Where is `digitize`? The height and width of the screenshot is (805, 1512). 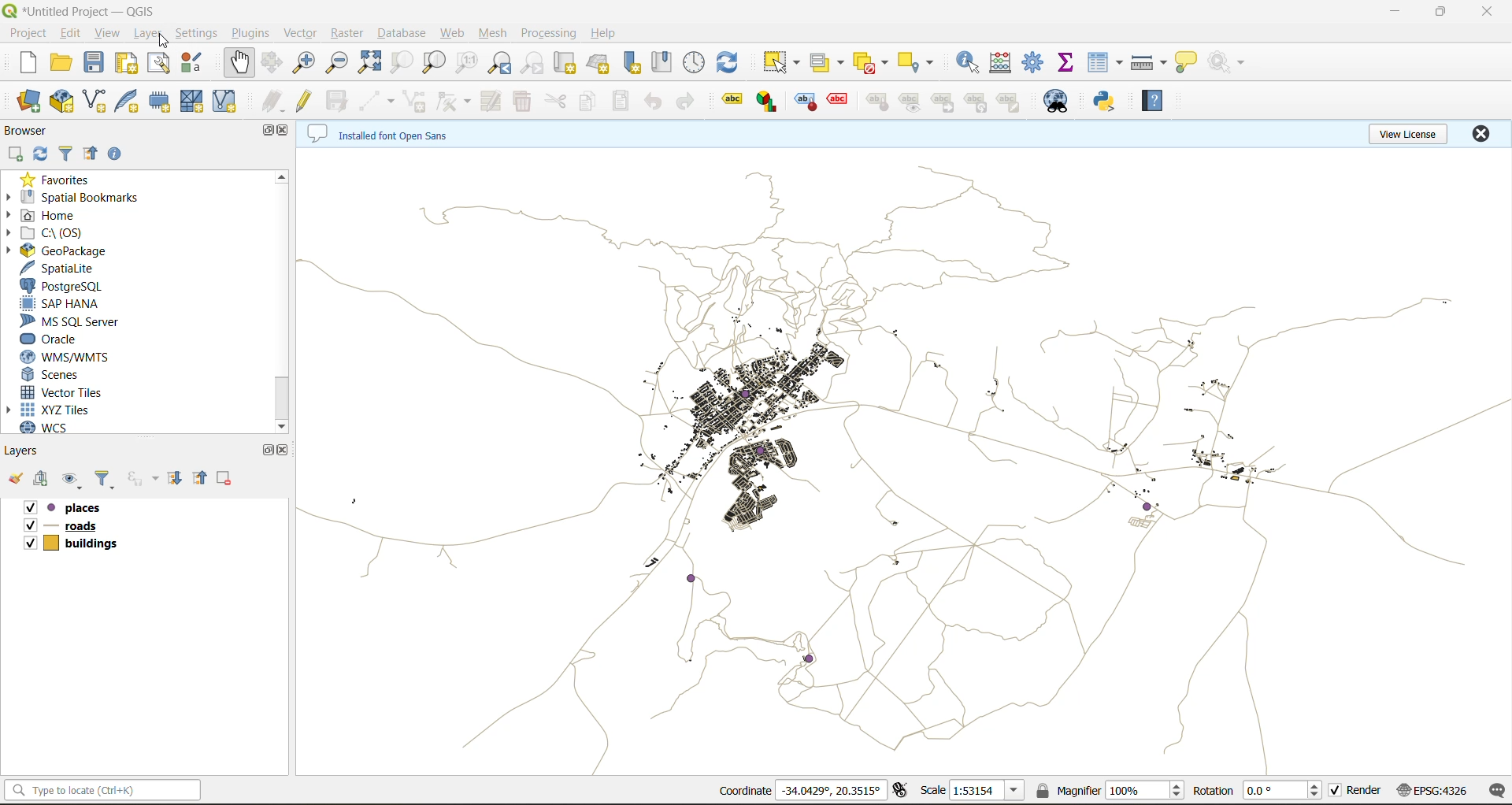
digitize is located at coordinates (376, 102).